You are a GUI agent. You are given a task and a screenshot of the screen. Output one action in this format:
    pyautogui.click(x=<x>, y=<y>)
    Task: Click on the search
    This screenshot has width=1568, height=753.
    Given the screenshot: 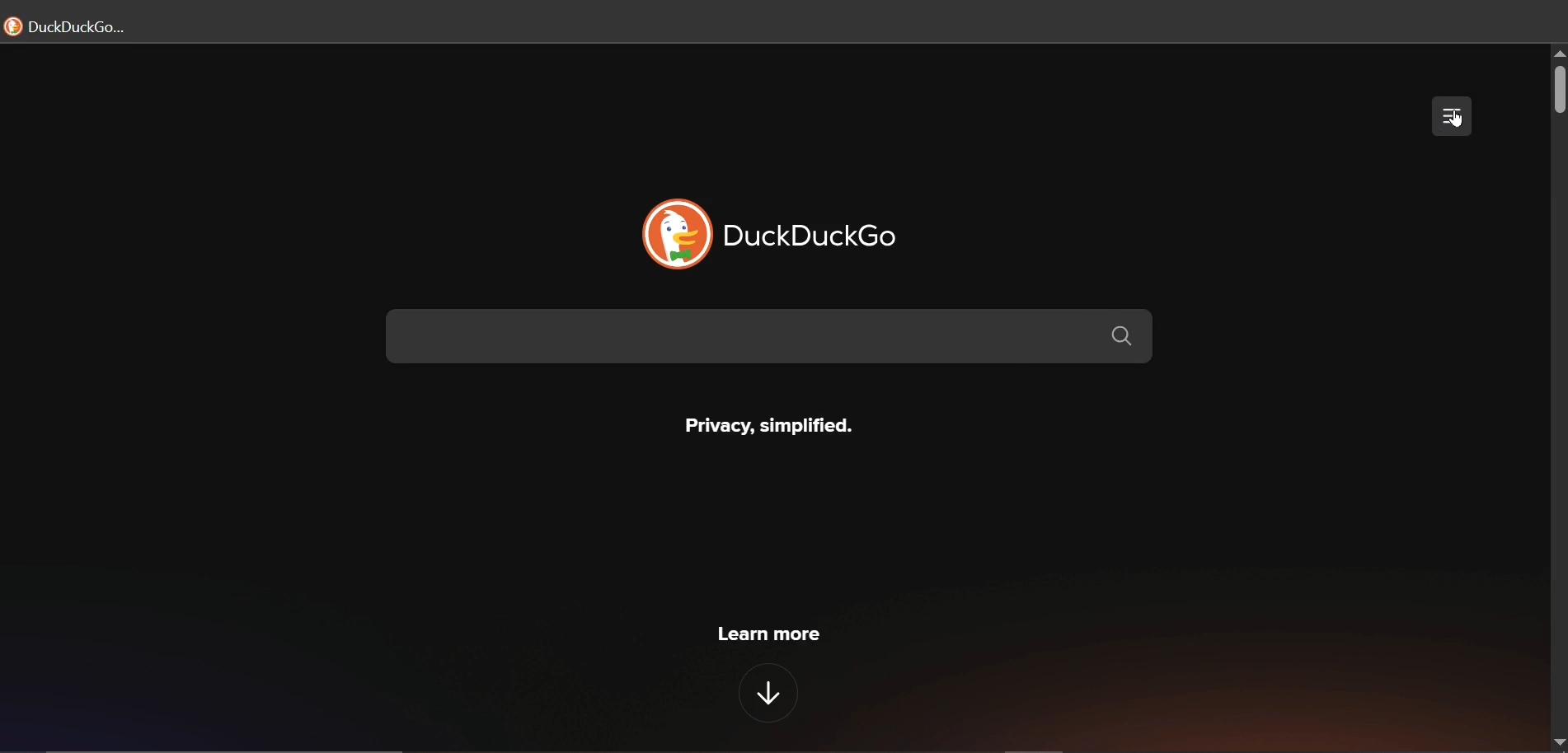 What is the action you would take?
    pyautogui.click(x=777, y=339)
    